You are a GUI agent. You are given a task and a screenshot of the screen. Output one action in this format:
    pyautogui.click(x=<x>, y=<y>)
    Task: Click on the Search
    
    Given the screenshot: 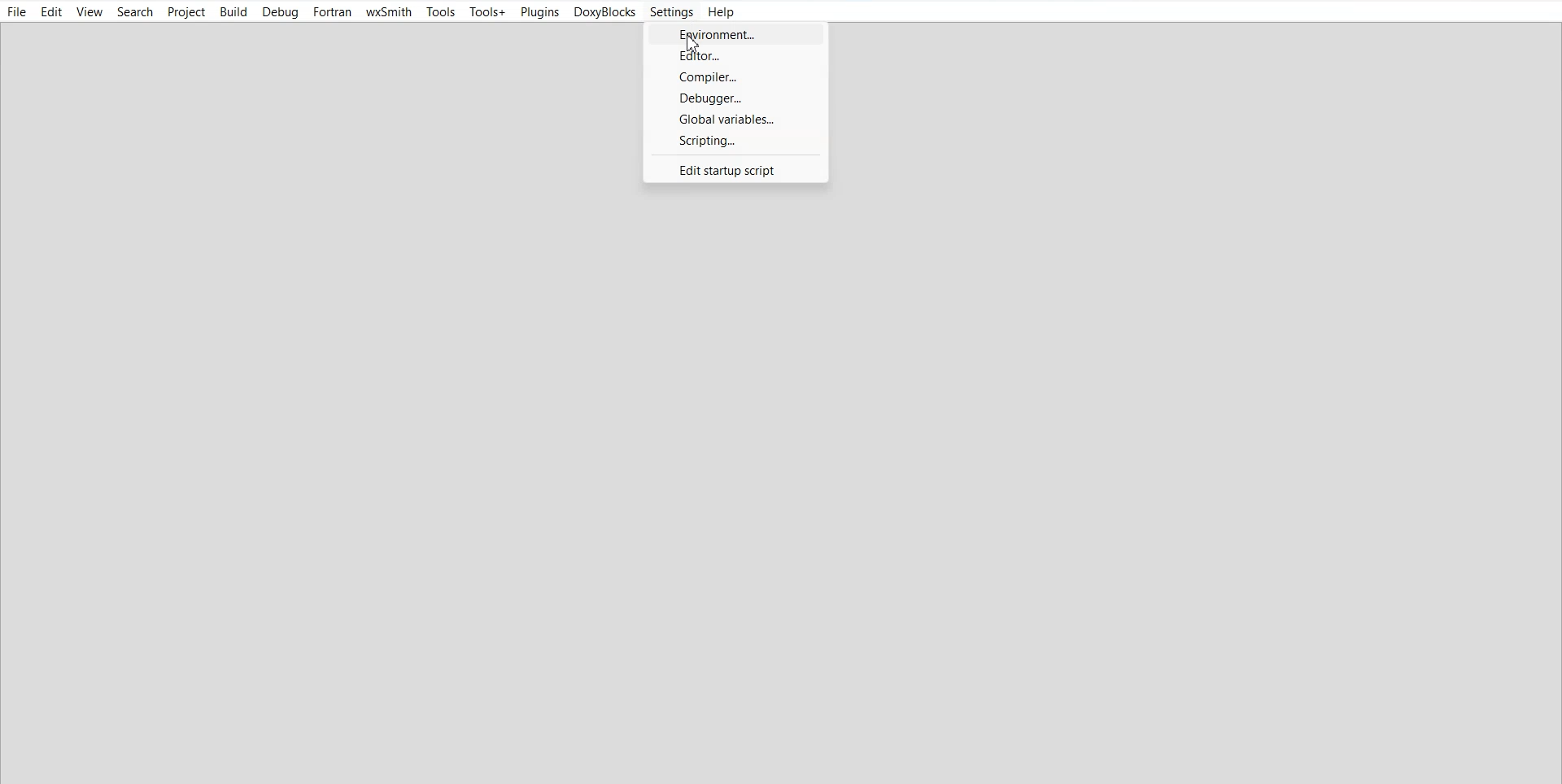 What is the action you would take?
    pyautogui.click(x=137, y=12)
    